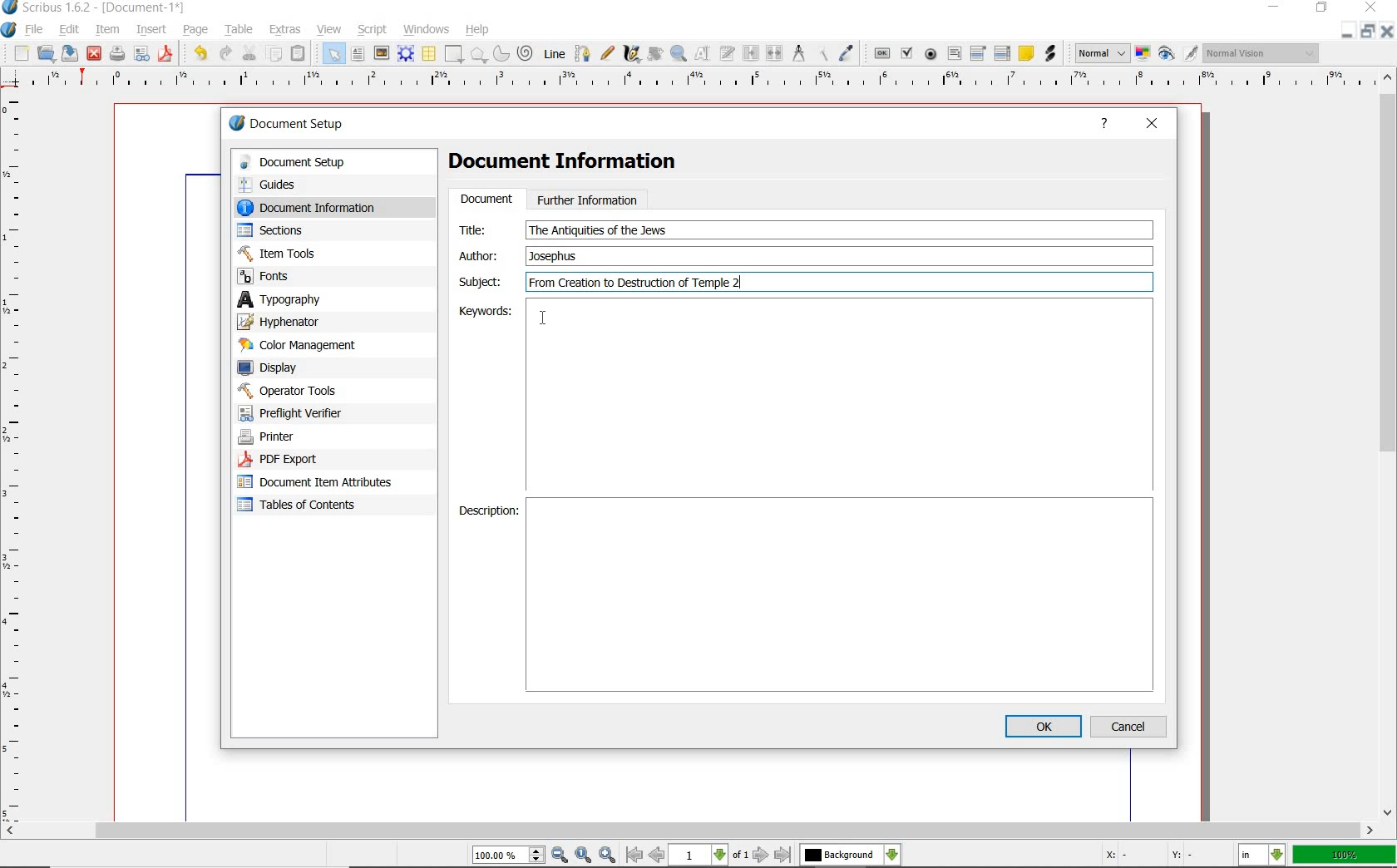 This screenshot has height=868, width=1397. What do you see at coordinates (704, 55) in the screenshot?
I see `edit contents of frame` at bounding box center [704, 55].